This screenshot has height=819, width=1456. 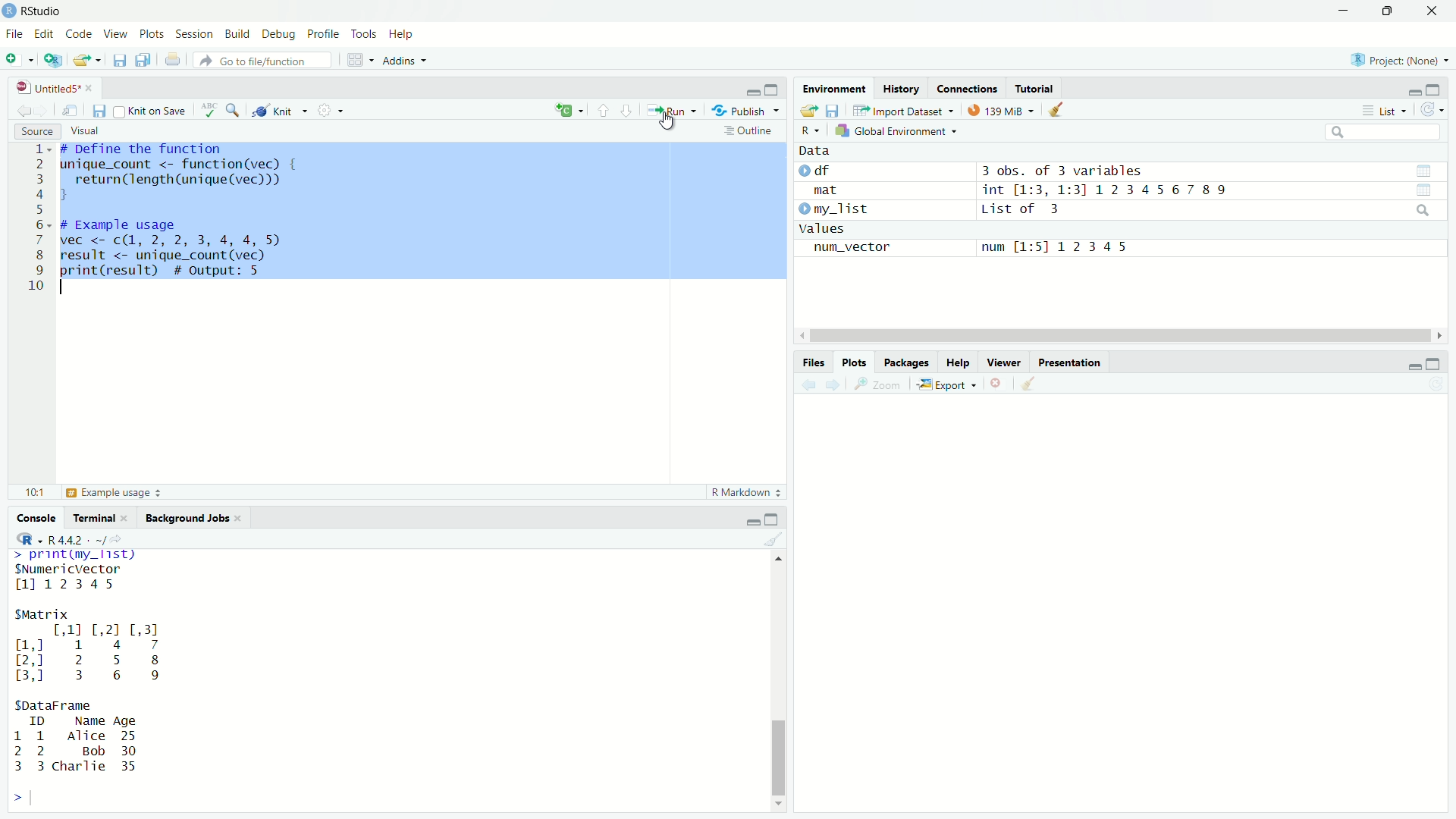 What do you see at coordinates (354, 60) in the screenshot?
I see `workspace panes` at bounding box center [354, 60].